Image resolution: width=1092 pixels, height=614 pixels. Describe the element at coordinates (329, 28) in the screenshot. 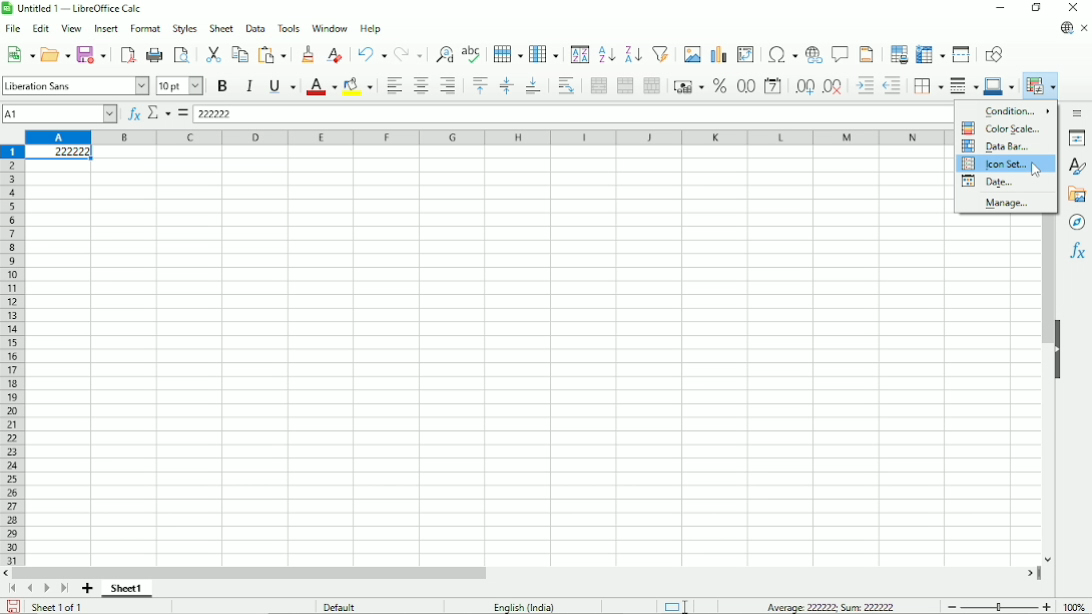

I see `Window` at that location.